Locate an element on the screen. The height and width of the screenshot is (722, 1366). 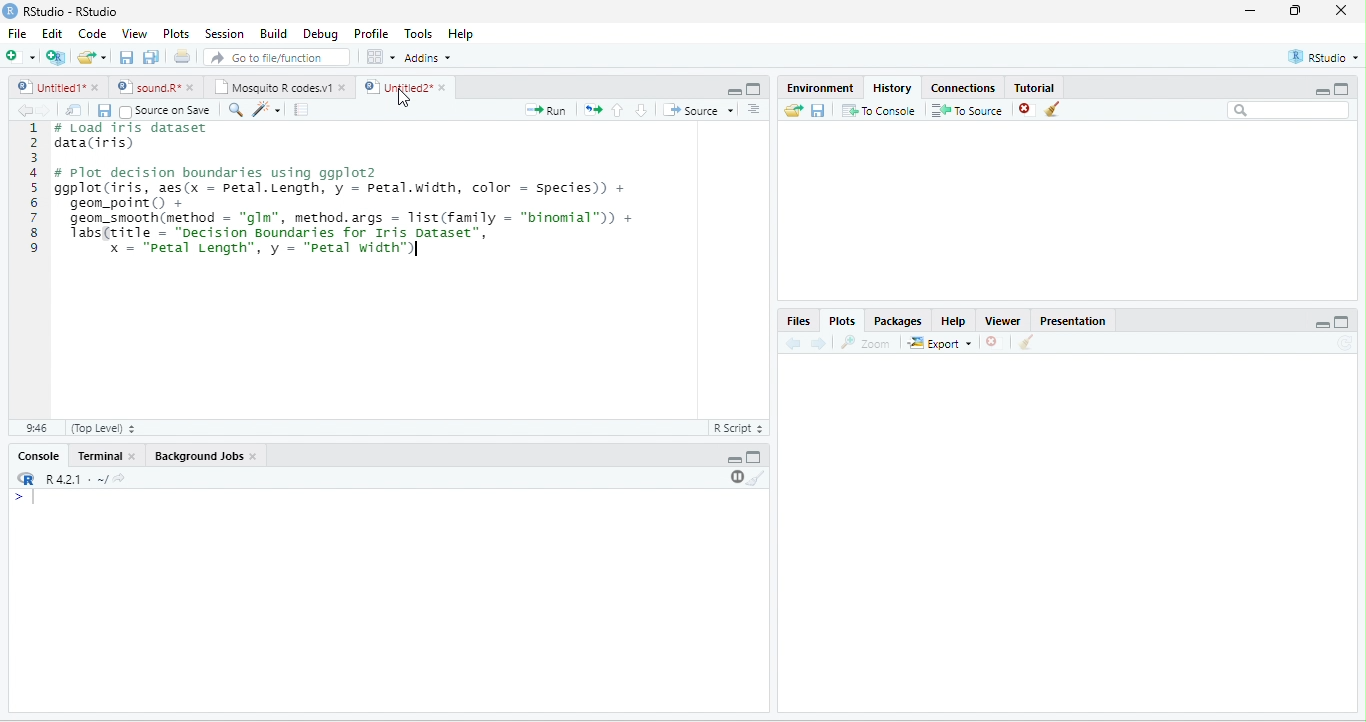
Terminal is located at coordinates (97, 455).